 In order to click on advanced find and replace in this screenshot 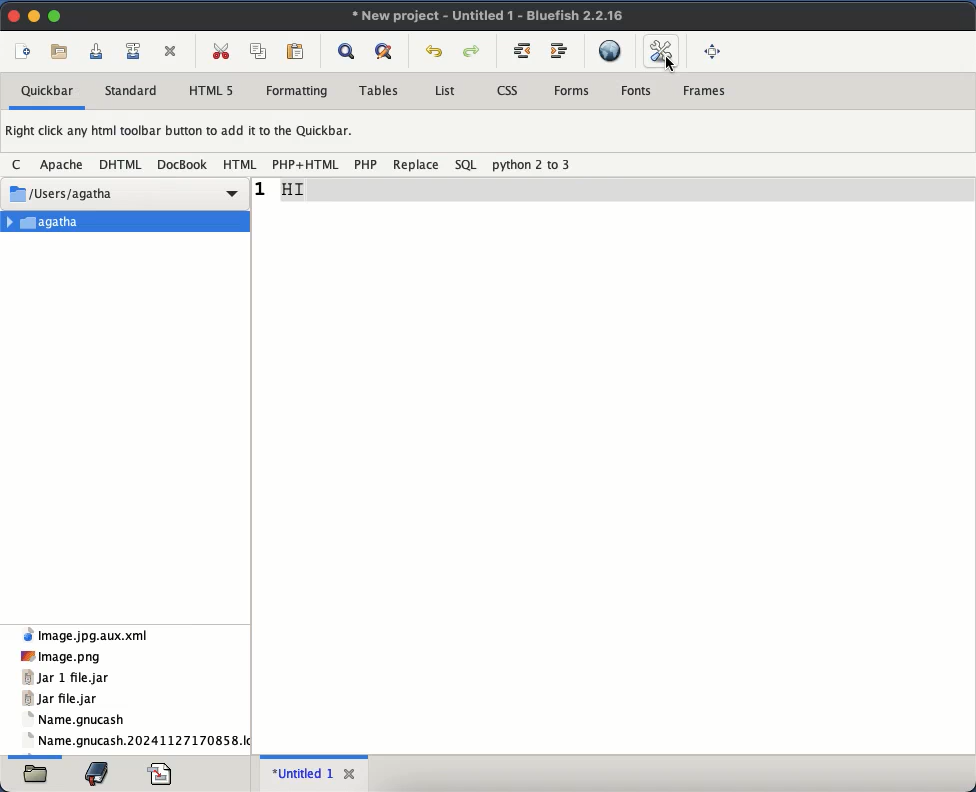, I will do `click(385, 53)`.